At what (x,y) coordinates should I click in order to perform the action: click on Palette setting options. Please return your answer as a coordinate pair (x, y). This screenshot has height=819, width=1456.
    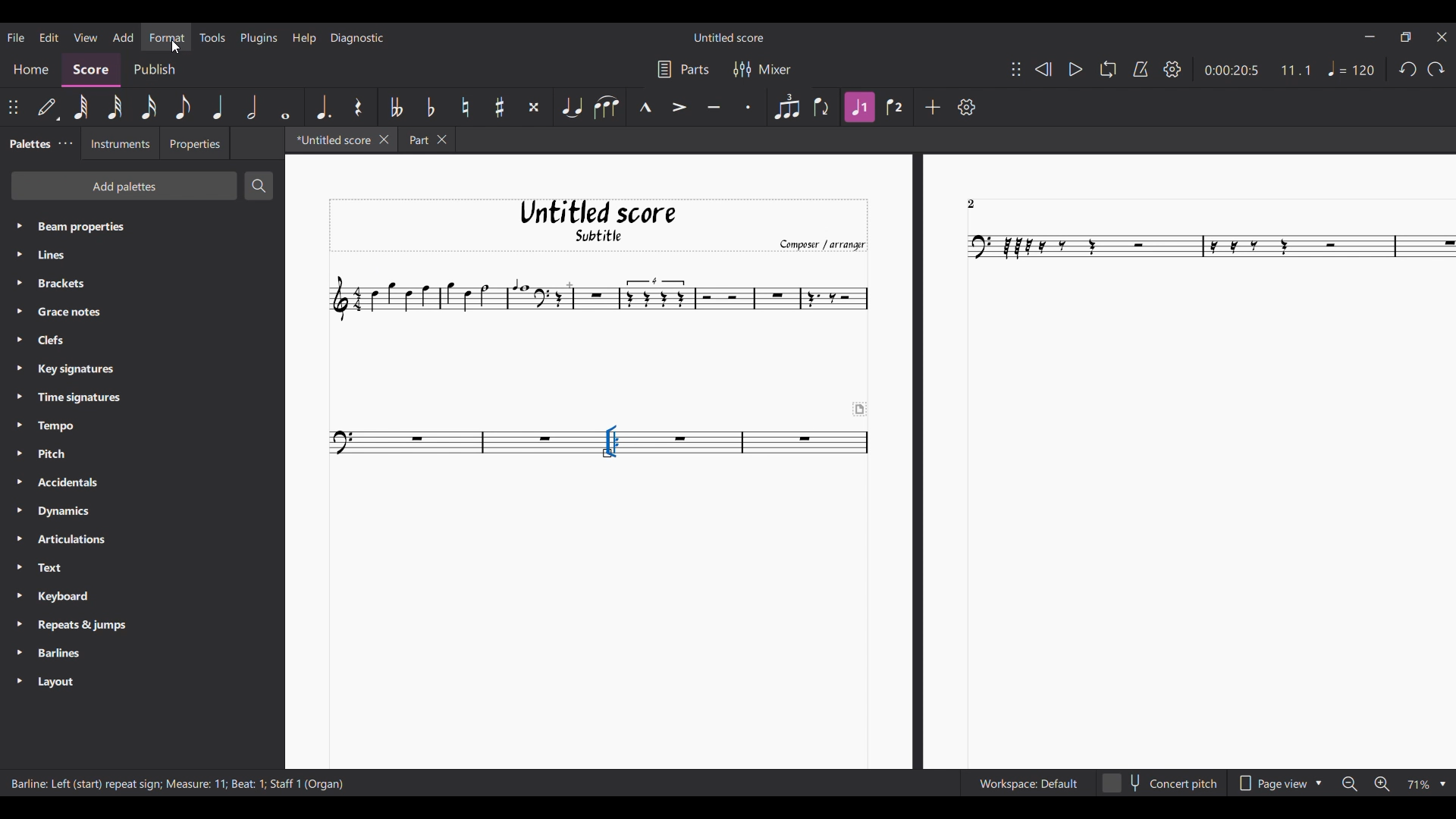
    Looking at the image, I should click on (154, 455).